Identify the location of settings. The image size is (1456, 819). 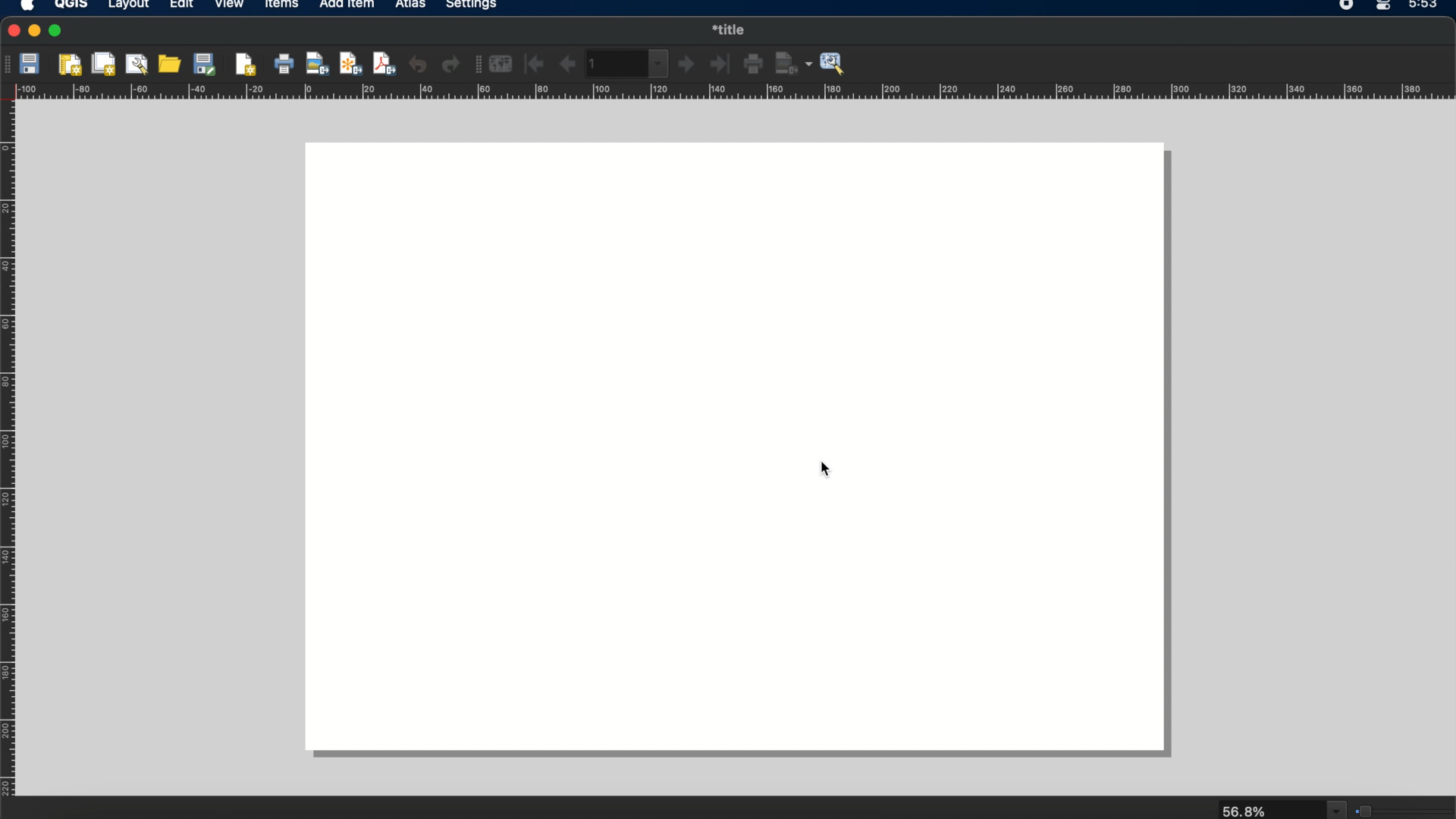
(474, 6).